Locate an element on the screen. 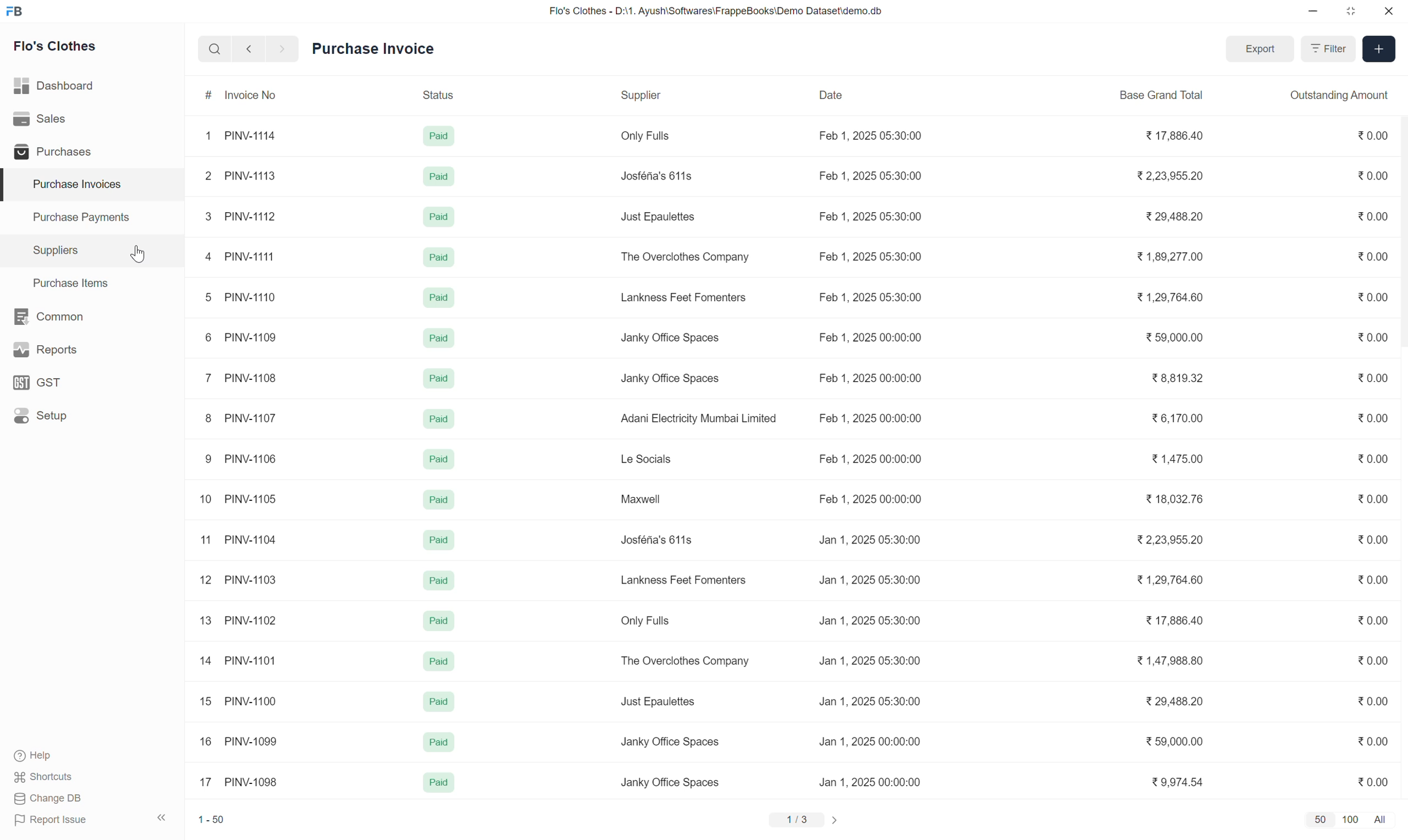  PINV-1108 is located at coordinates (252, 378).